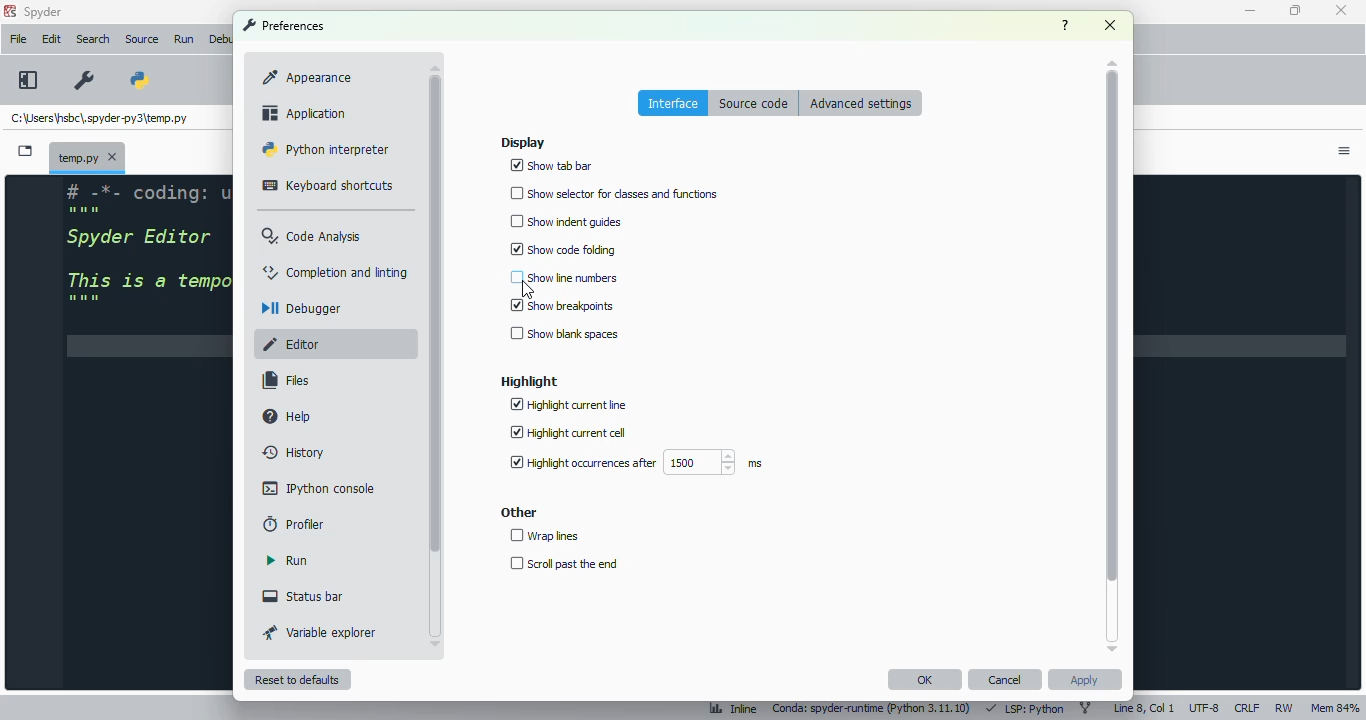  Describe the element at coordinates (1086, 708) in the screenshot. I see `git branch` at that location.